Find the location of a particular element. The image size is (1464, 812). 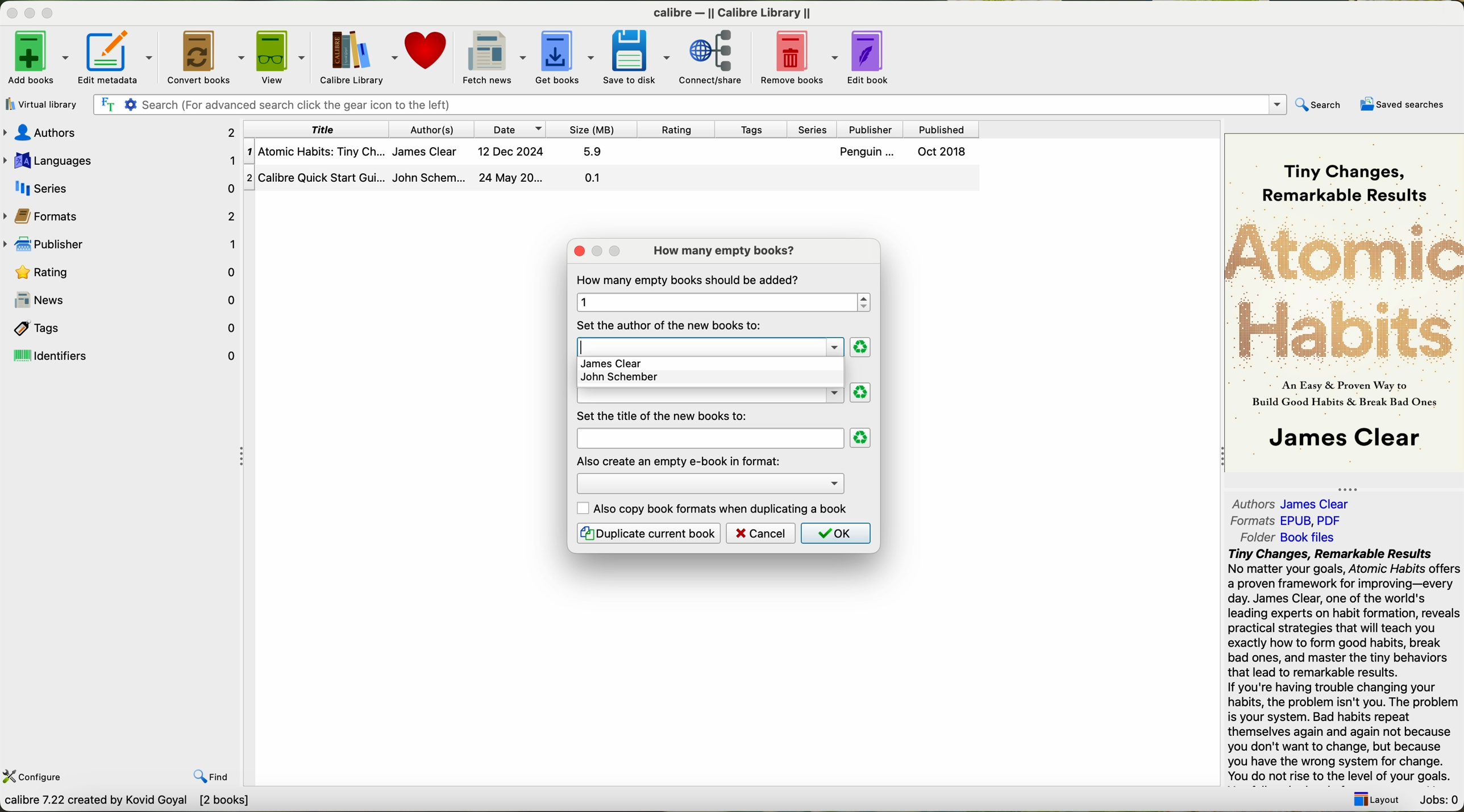

how many empty books shoul be added? is located at coordinates (690, 280).